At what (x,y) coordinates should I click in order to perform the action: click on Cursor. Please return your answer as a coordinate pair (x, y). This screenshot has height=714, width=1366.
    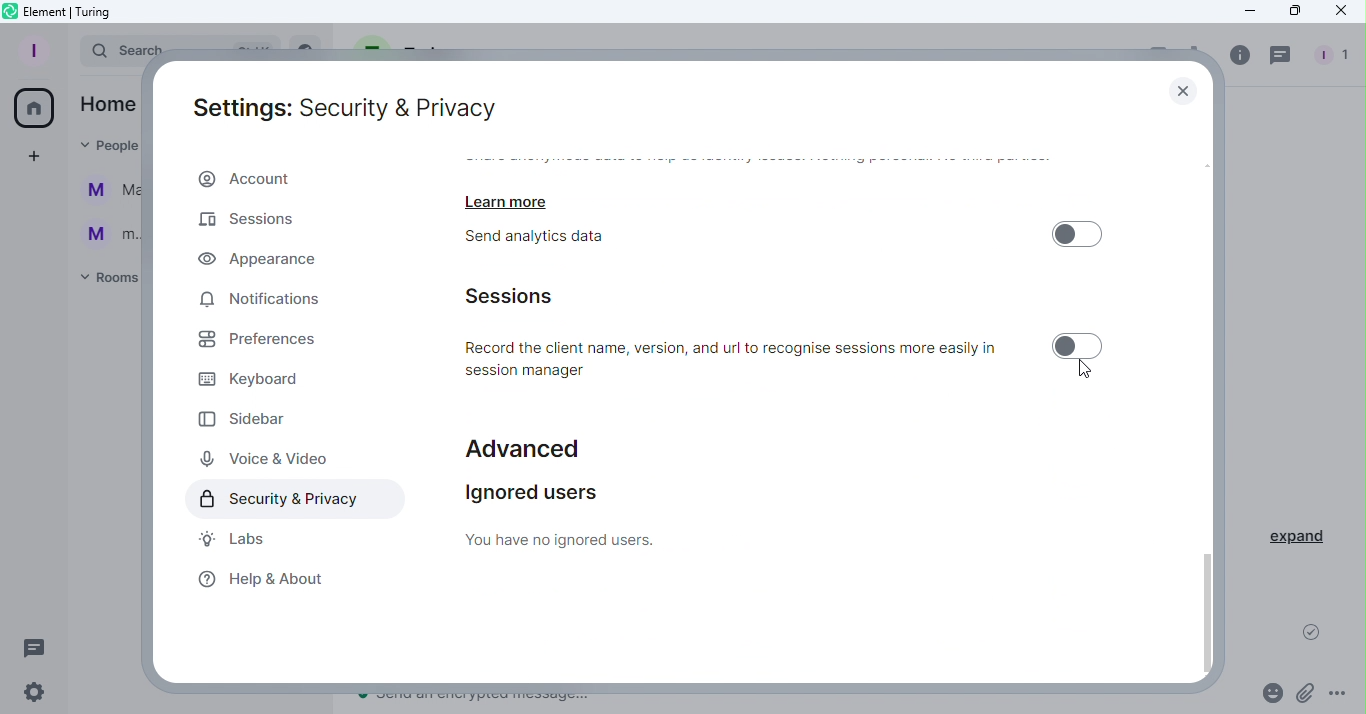
    Looking at the image, I should click on (1083, 372).